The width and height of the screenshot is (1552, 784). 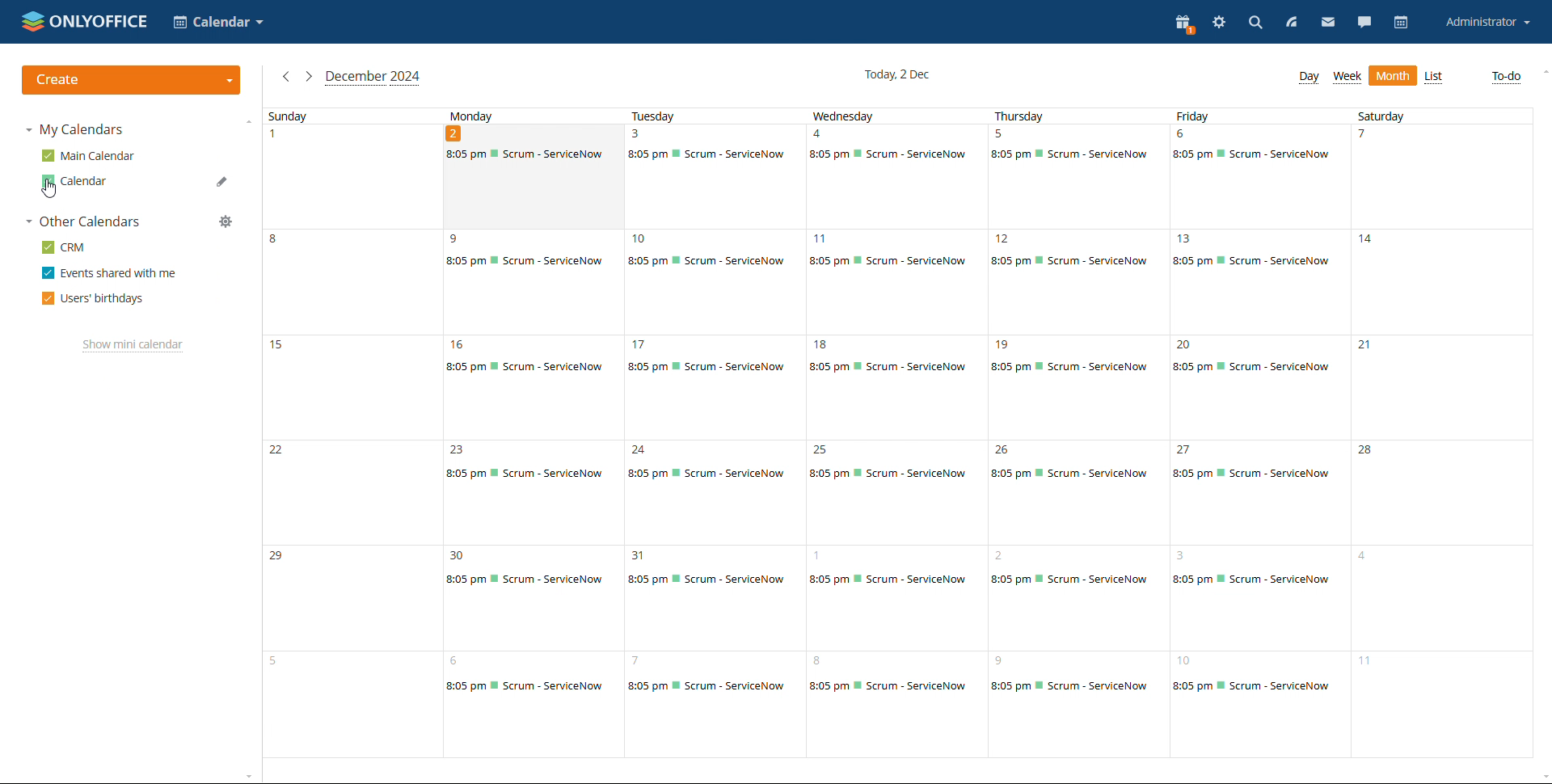 What do you see at coordinates (84, 22) in the screenshot?
I see `logo` at bounding box center [84, 22].